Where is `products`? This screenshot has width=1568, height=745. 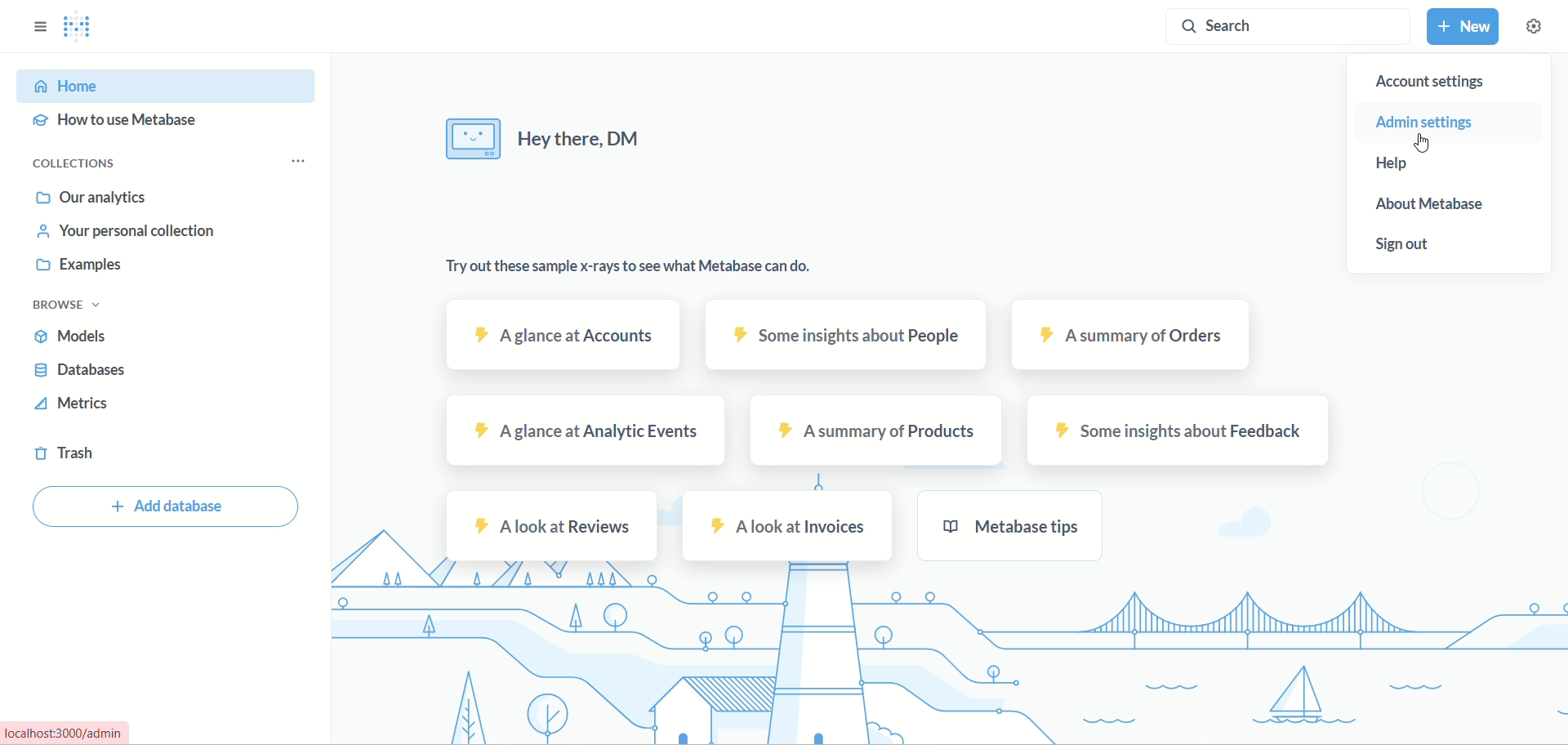 products is located at coordinates (876, 432).